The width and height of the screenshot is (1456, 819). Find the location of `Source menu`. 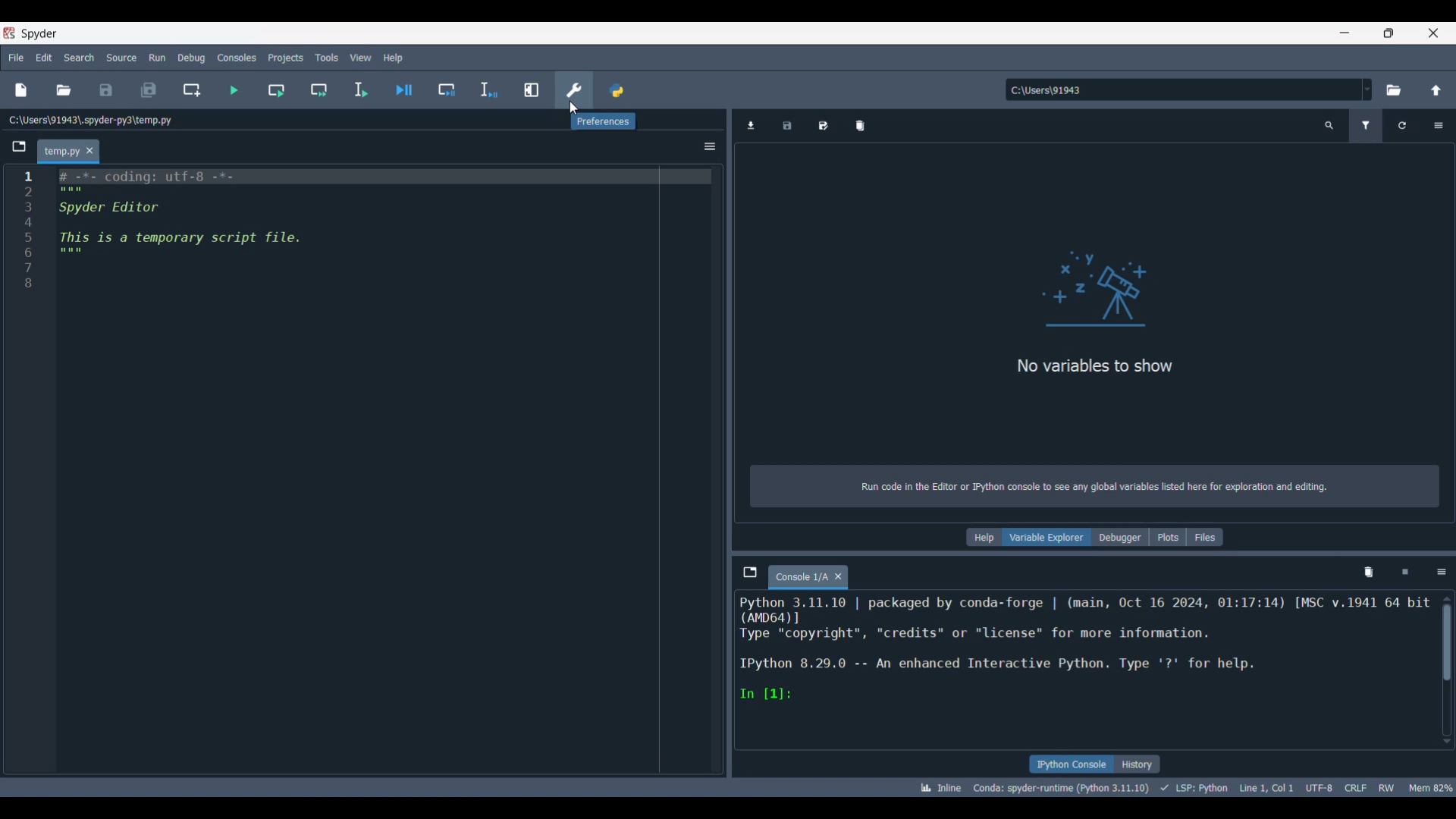

Source menu is located at coordinates (121, 58).